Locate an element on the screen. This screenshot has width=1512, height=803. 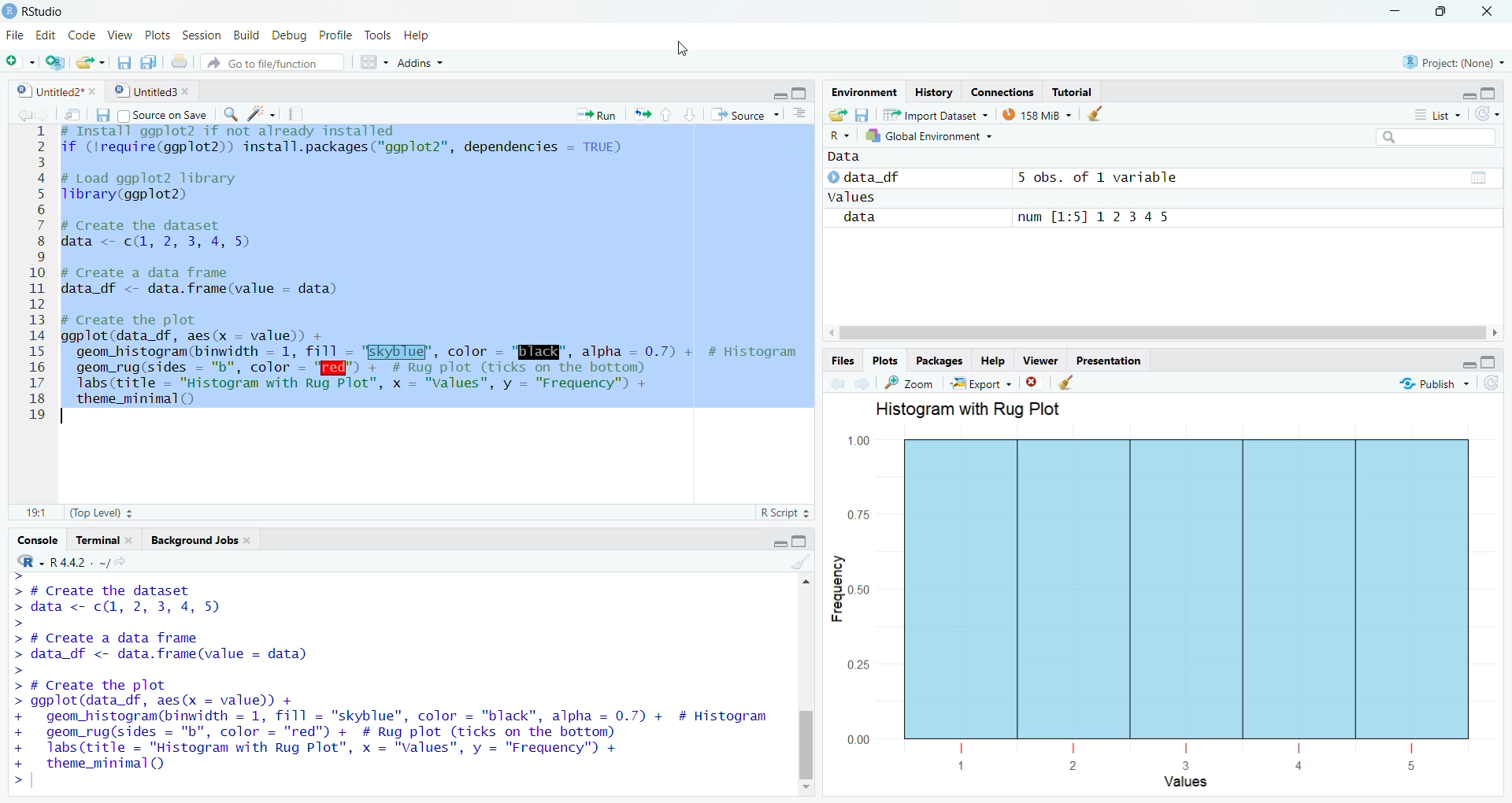
refresh is located at coordinates (1495, 388).